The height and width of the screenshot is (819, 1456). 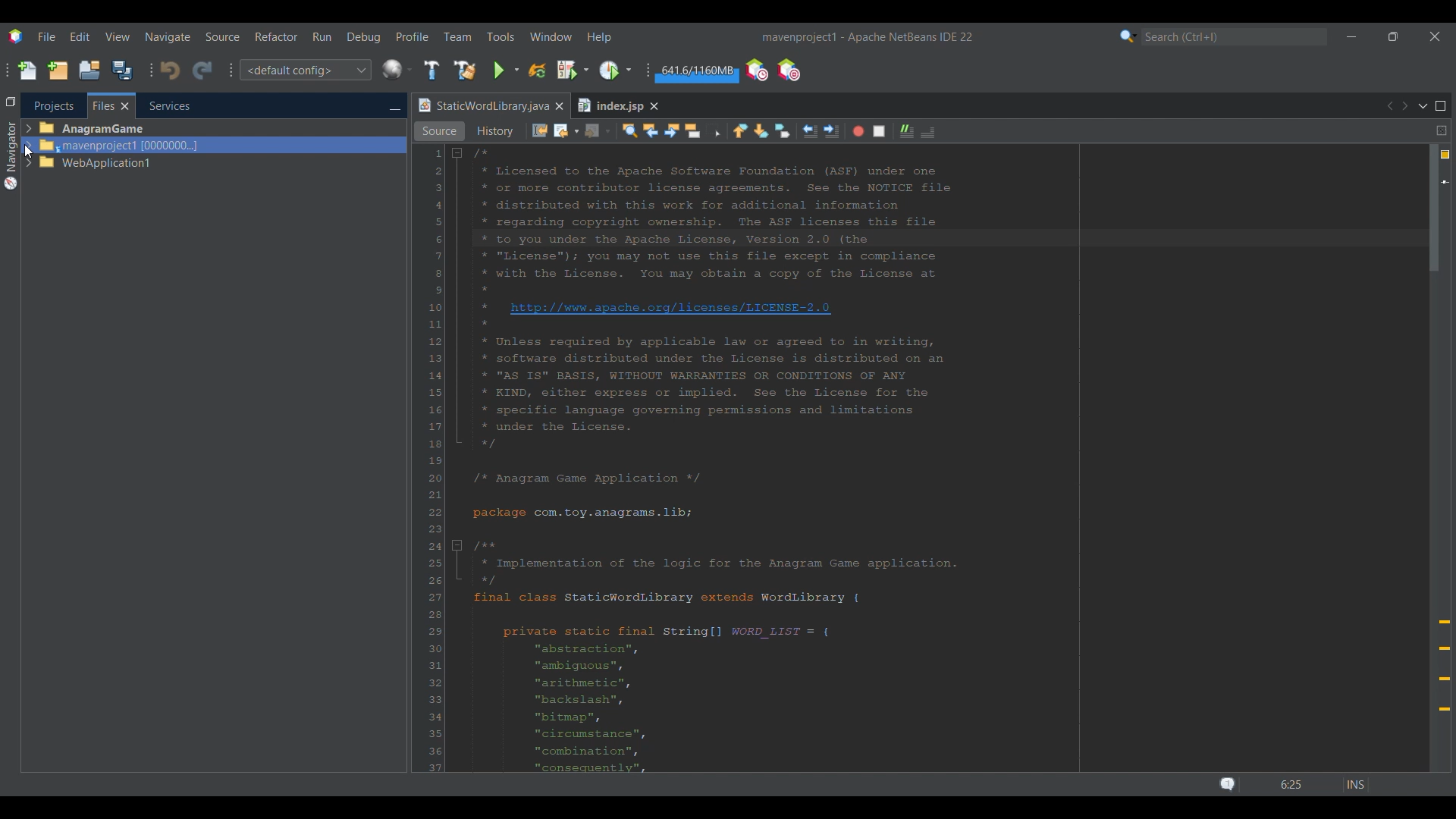 What do you see at coordinates (697, 73) in the screenshot?
I see `Garbage collection amount changed` at bounding box center [697, 73].